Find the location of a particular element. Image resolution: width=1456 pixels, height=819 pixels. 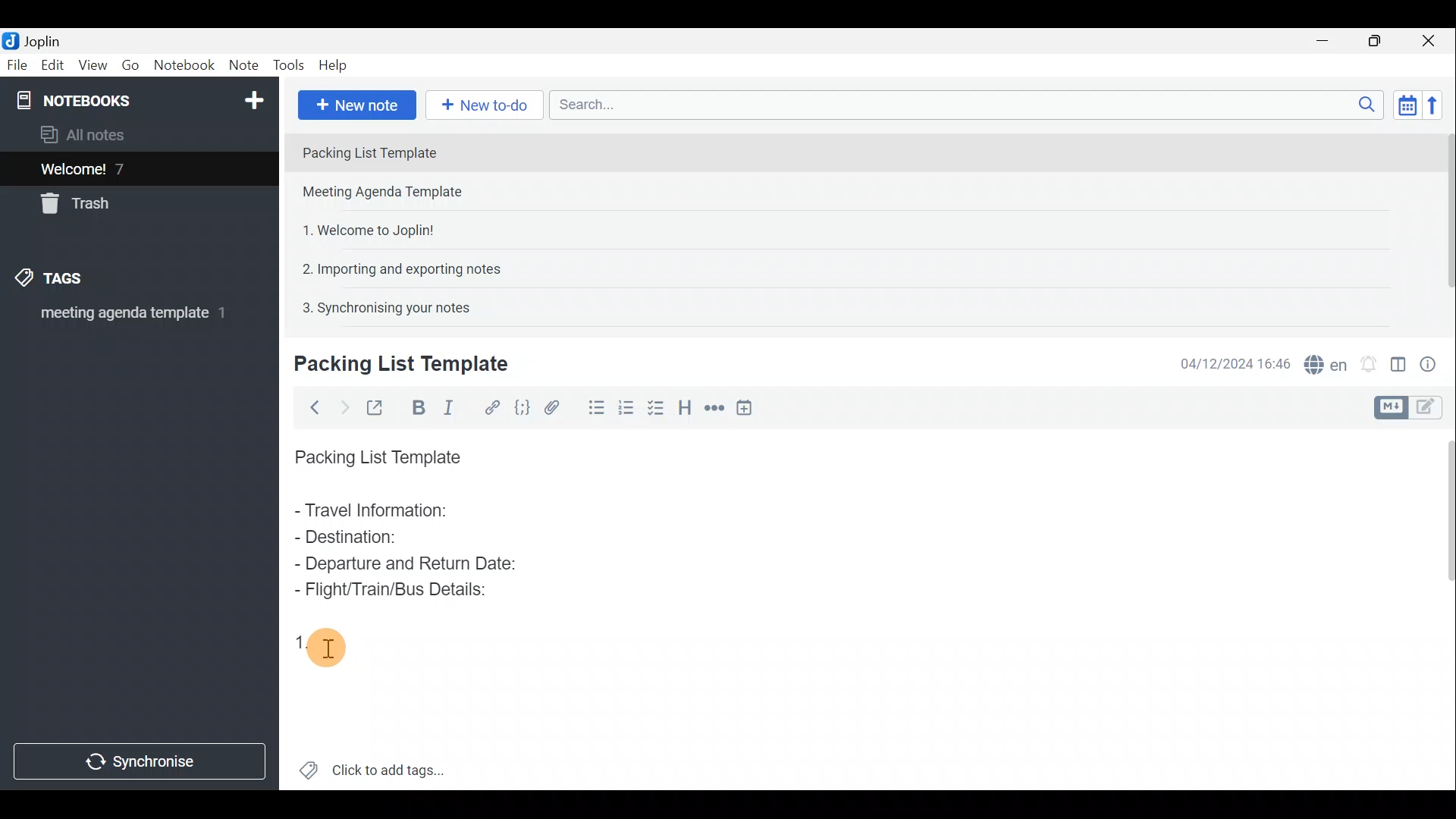

Numbered list is located at coordinates (657, 407).